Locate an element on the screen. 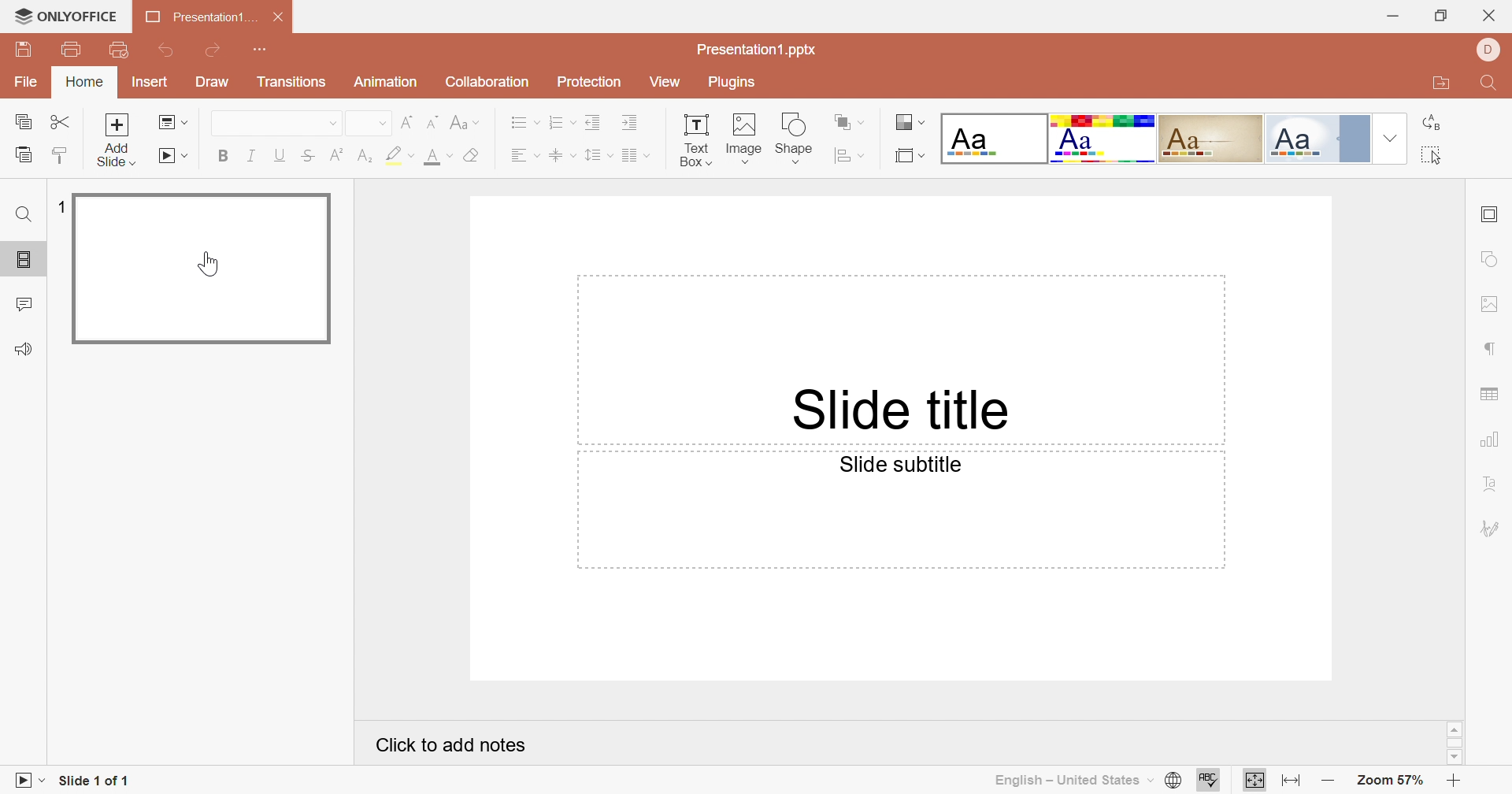 The height and width of the screenshot is (794, 1512). Close is located at coordinates (276, 14).